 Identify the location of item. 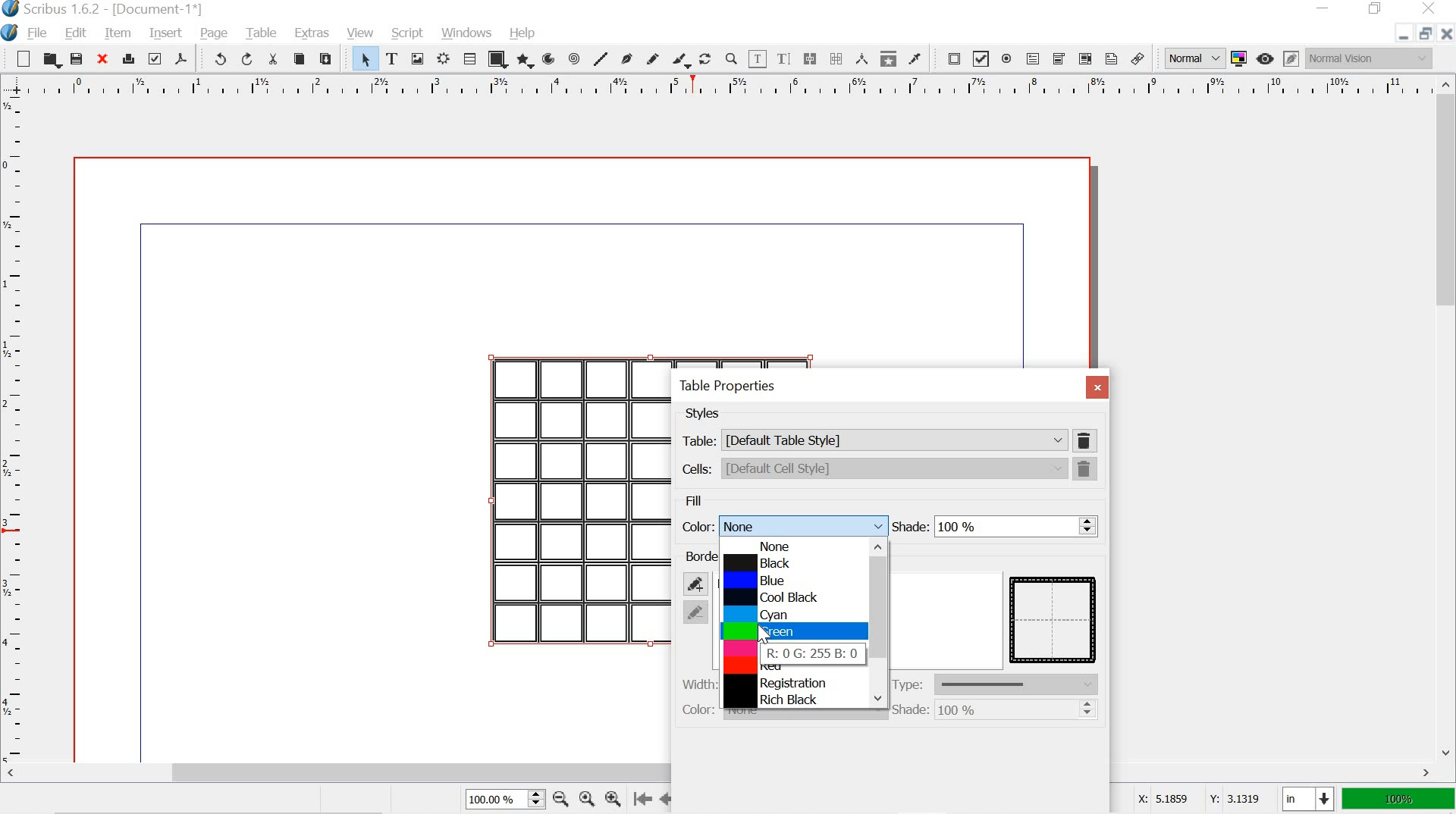
(118, 34).